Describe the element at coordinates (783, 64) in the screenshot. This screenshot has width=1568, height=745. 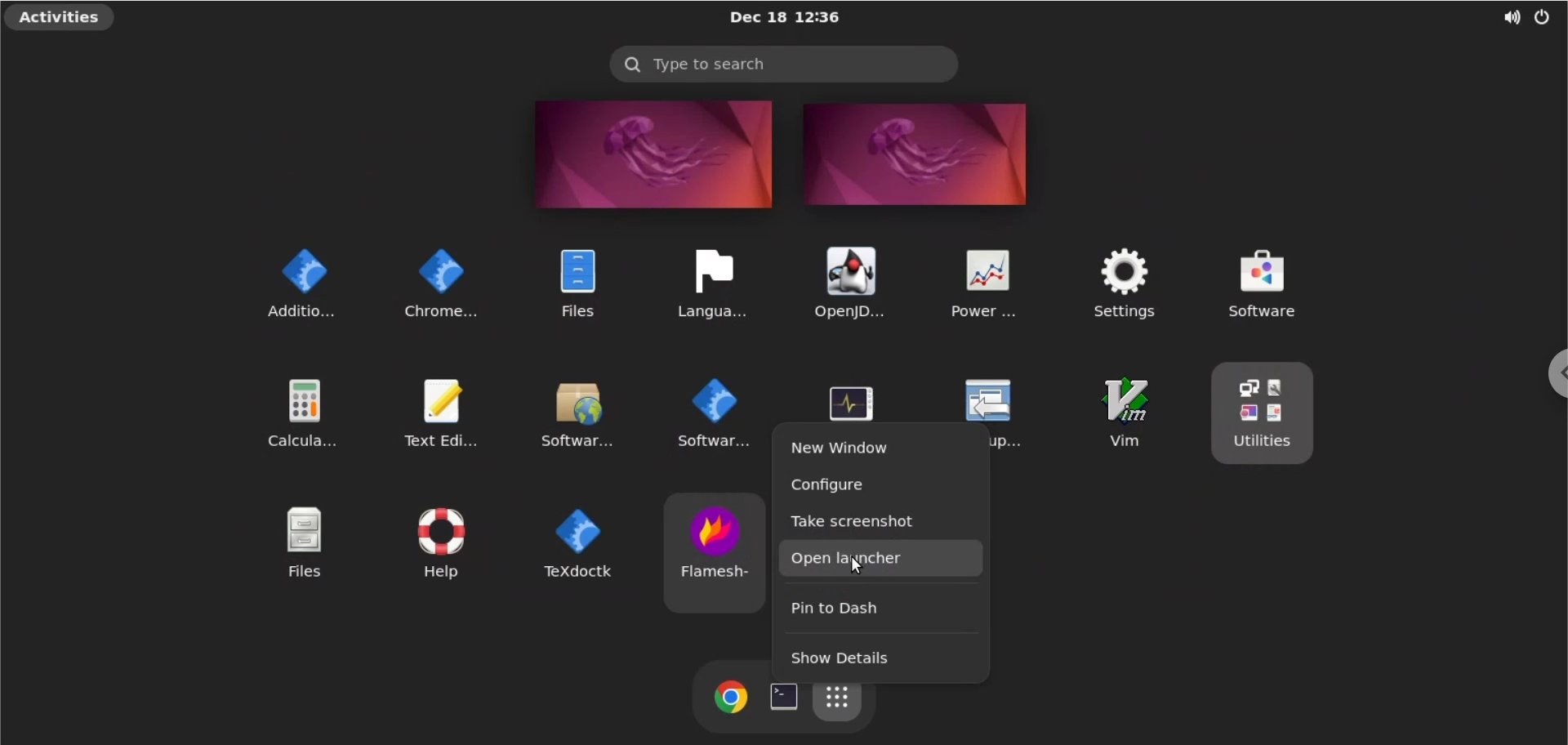
I see `search bar` at that location.